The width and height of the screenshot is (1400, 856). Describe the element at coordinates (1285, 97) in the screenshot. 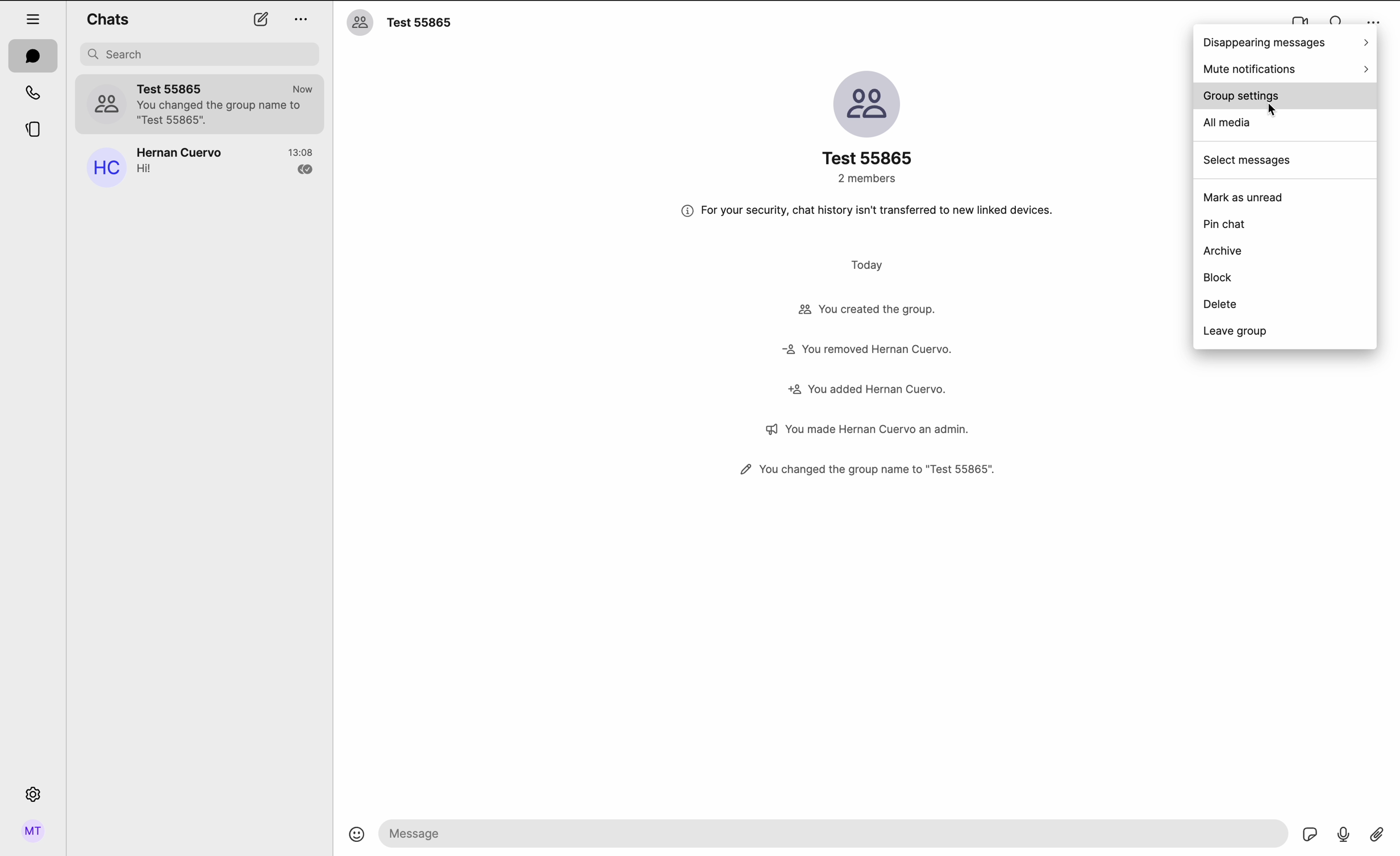

I see `click on group settings` at that location.